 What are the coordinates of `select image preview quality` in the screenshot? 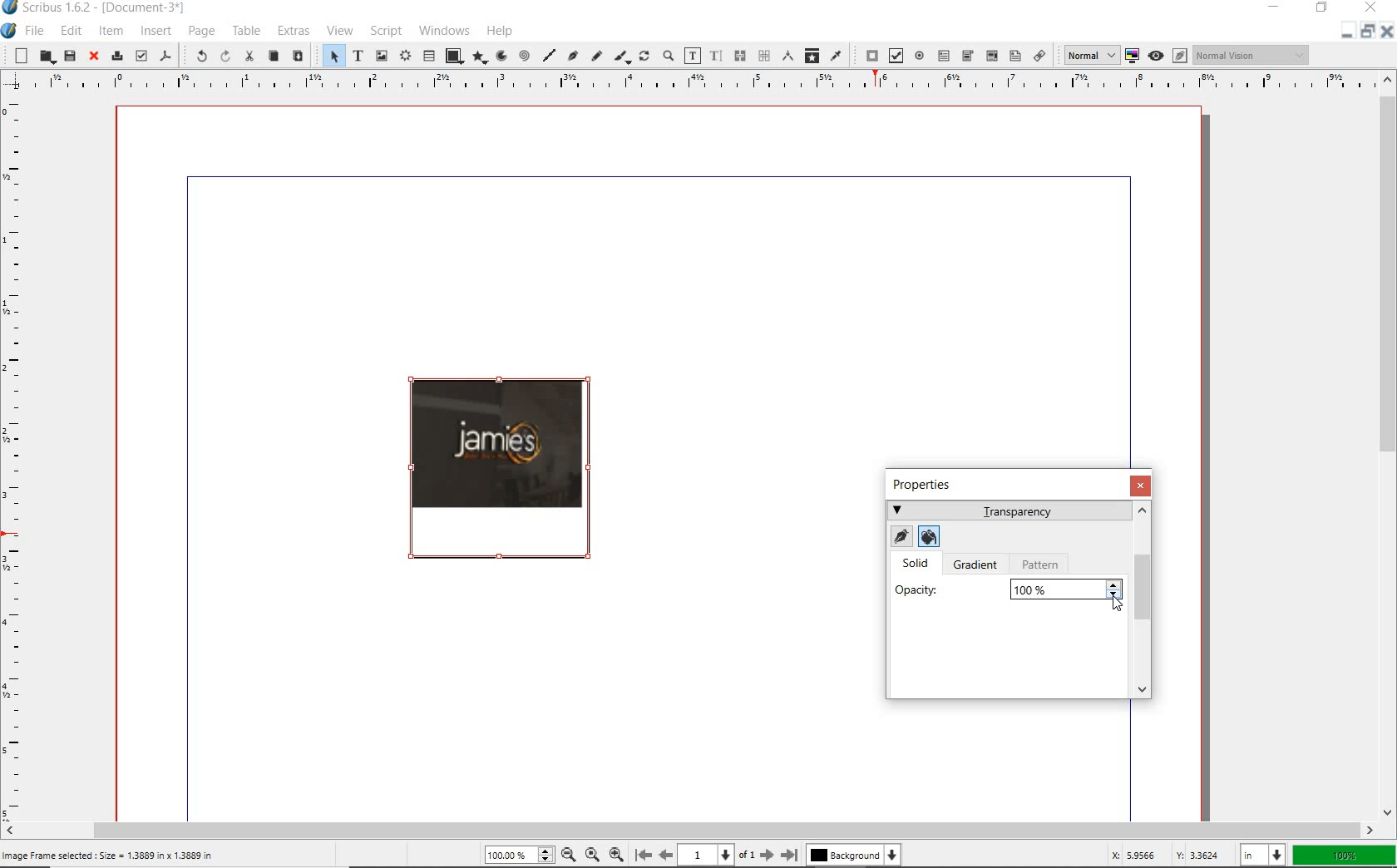 It's located at (1089, 56).